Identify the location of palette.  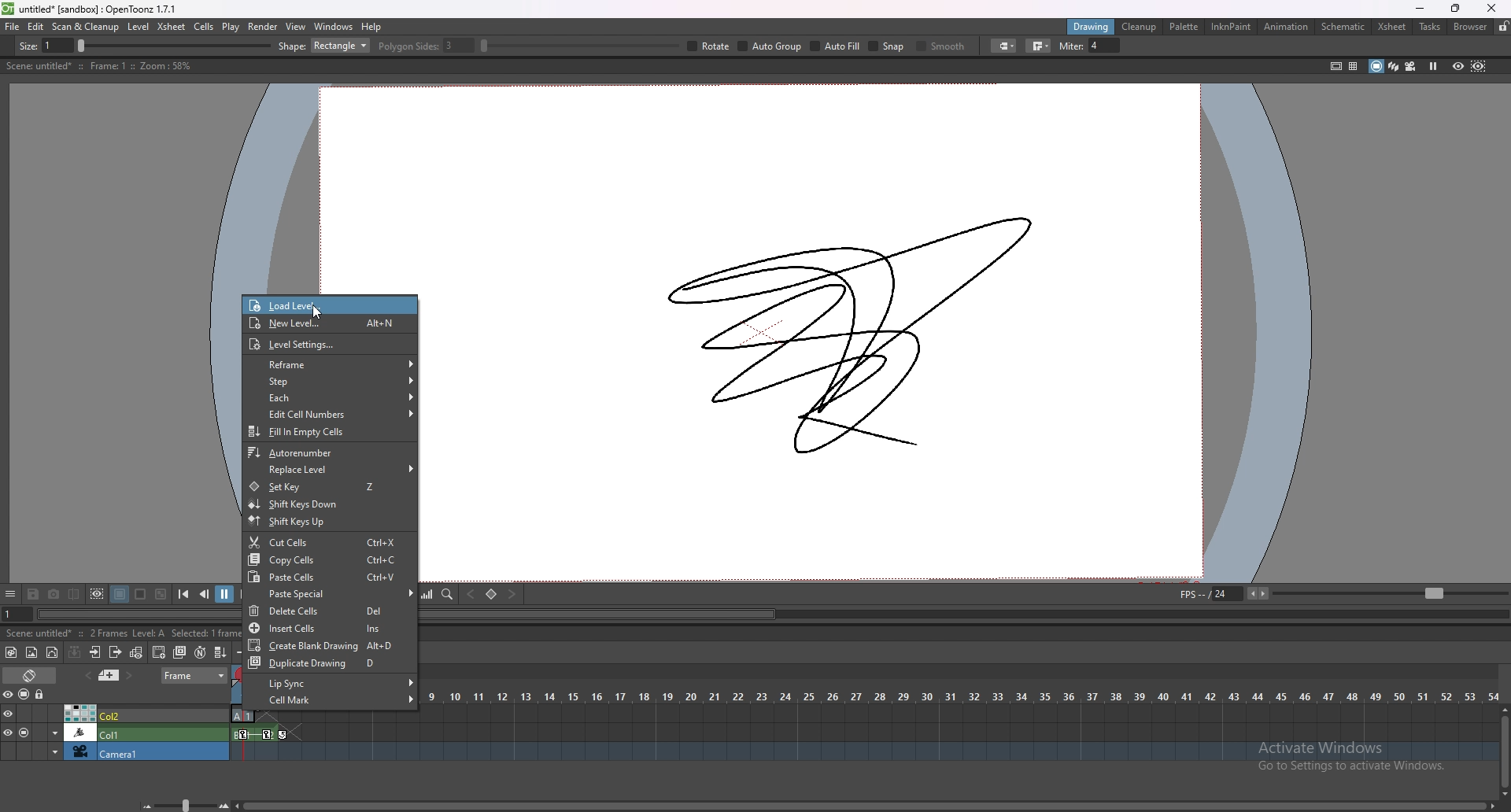
(1184, 26).